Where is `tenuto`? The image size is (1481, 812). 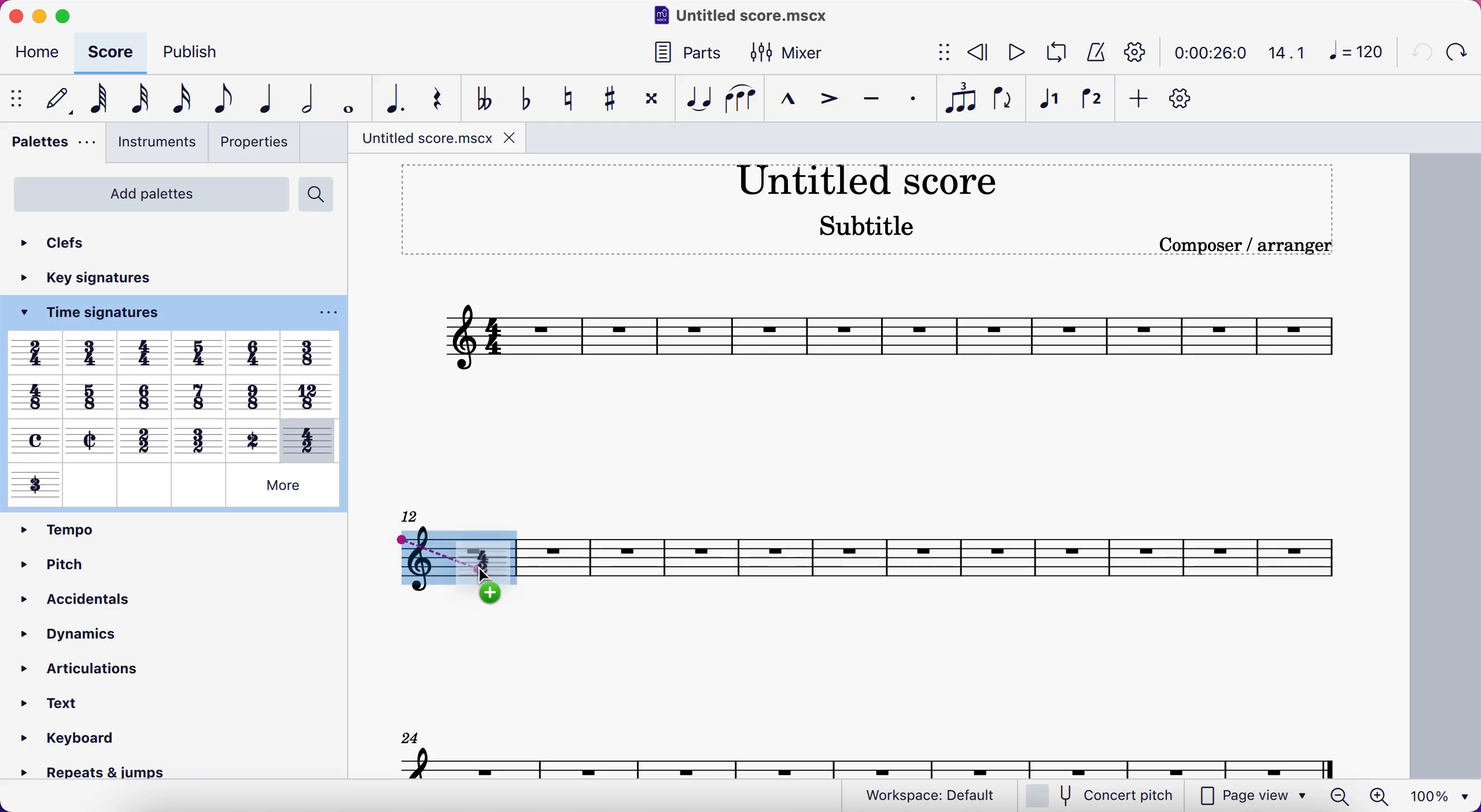 tenuto is located at coordinates (867, 98).